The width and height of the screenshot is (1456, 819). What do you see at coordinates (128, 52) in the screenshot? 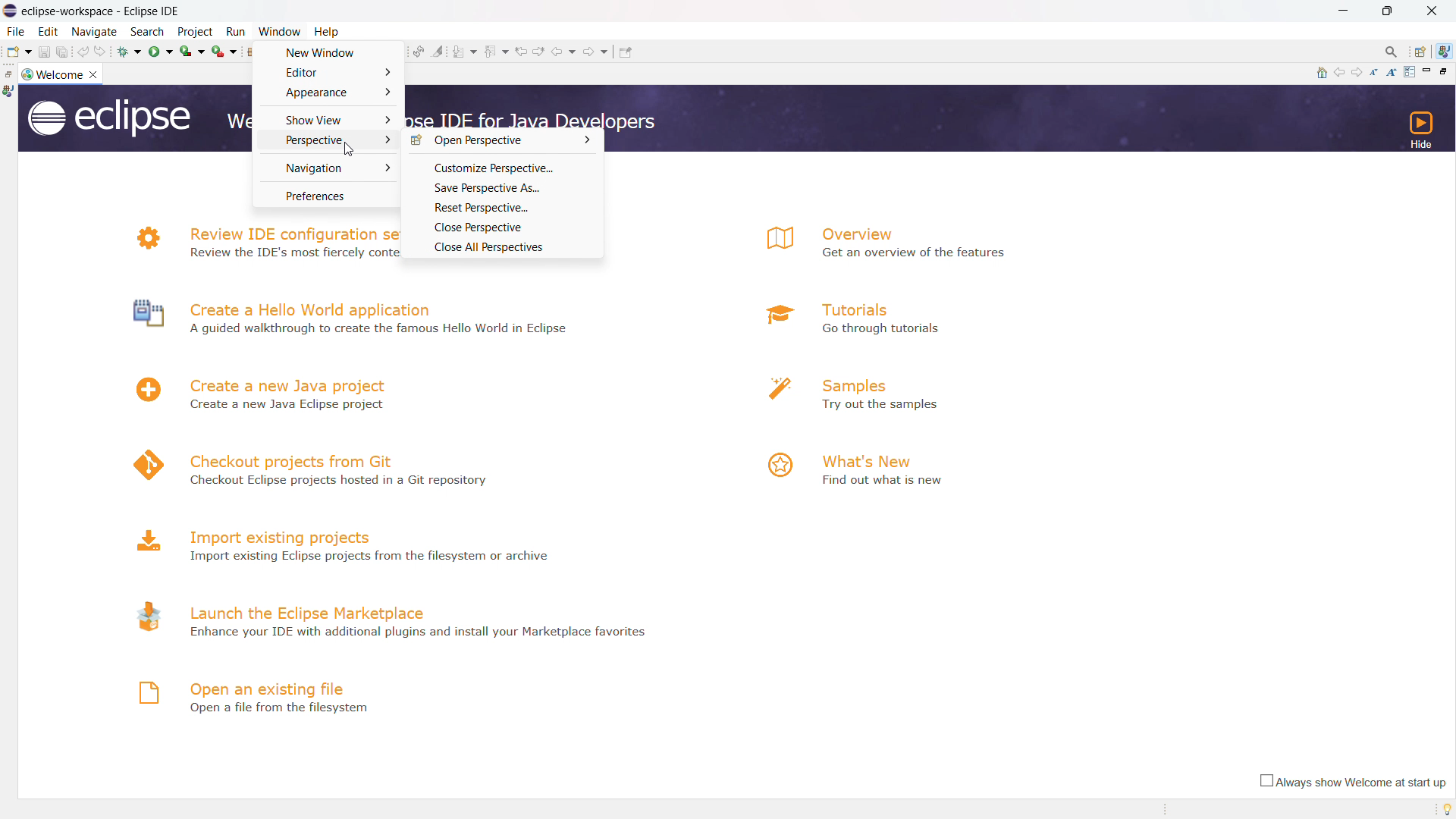
I see `debug` at bounding box center [128, 52].